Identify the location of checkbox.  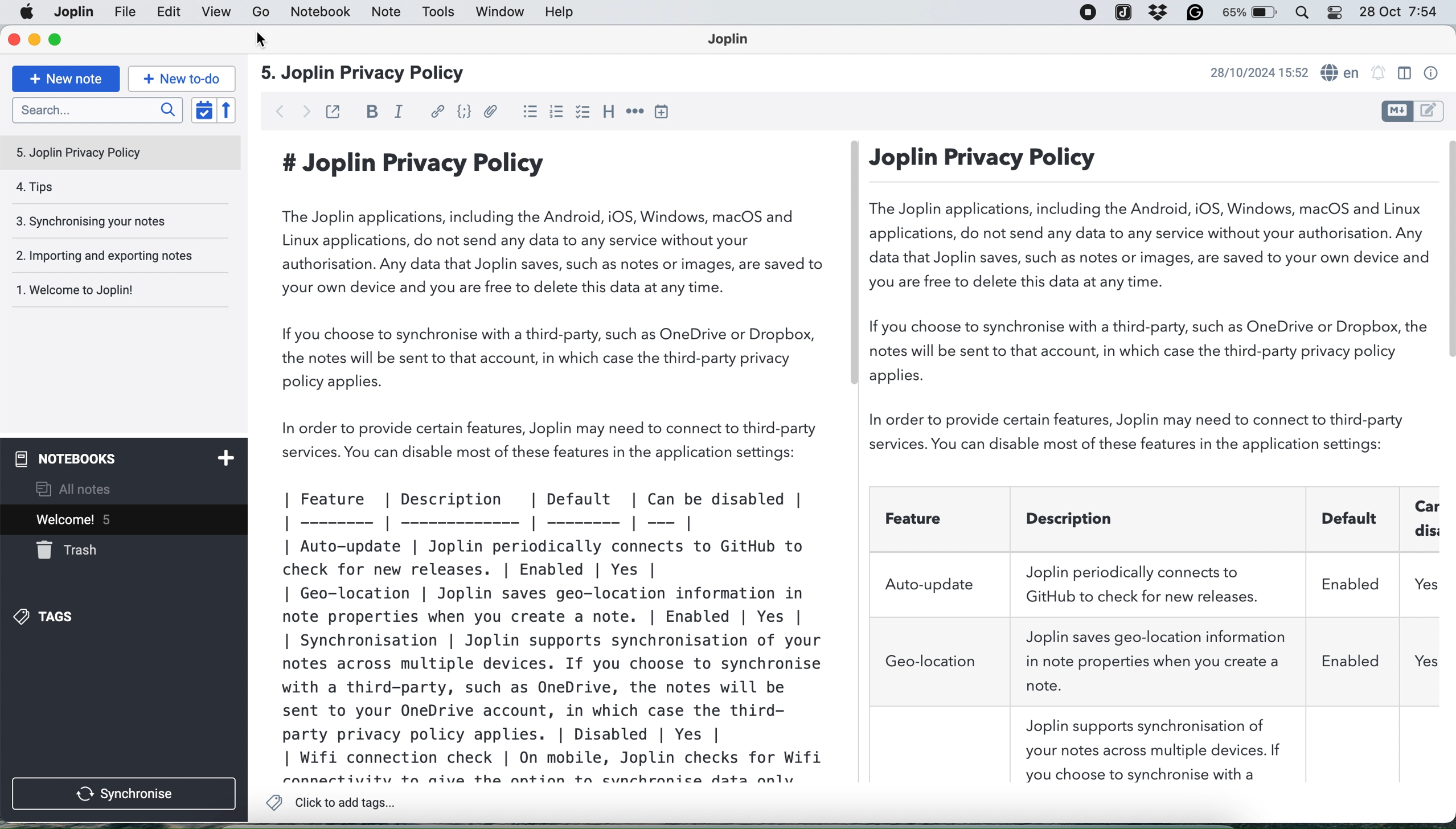
(583, 112).